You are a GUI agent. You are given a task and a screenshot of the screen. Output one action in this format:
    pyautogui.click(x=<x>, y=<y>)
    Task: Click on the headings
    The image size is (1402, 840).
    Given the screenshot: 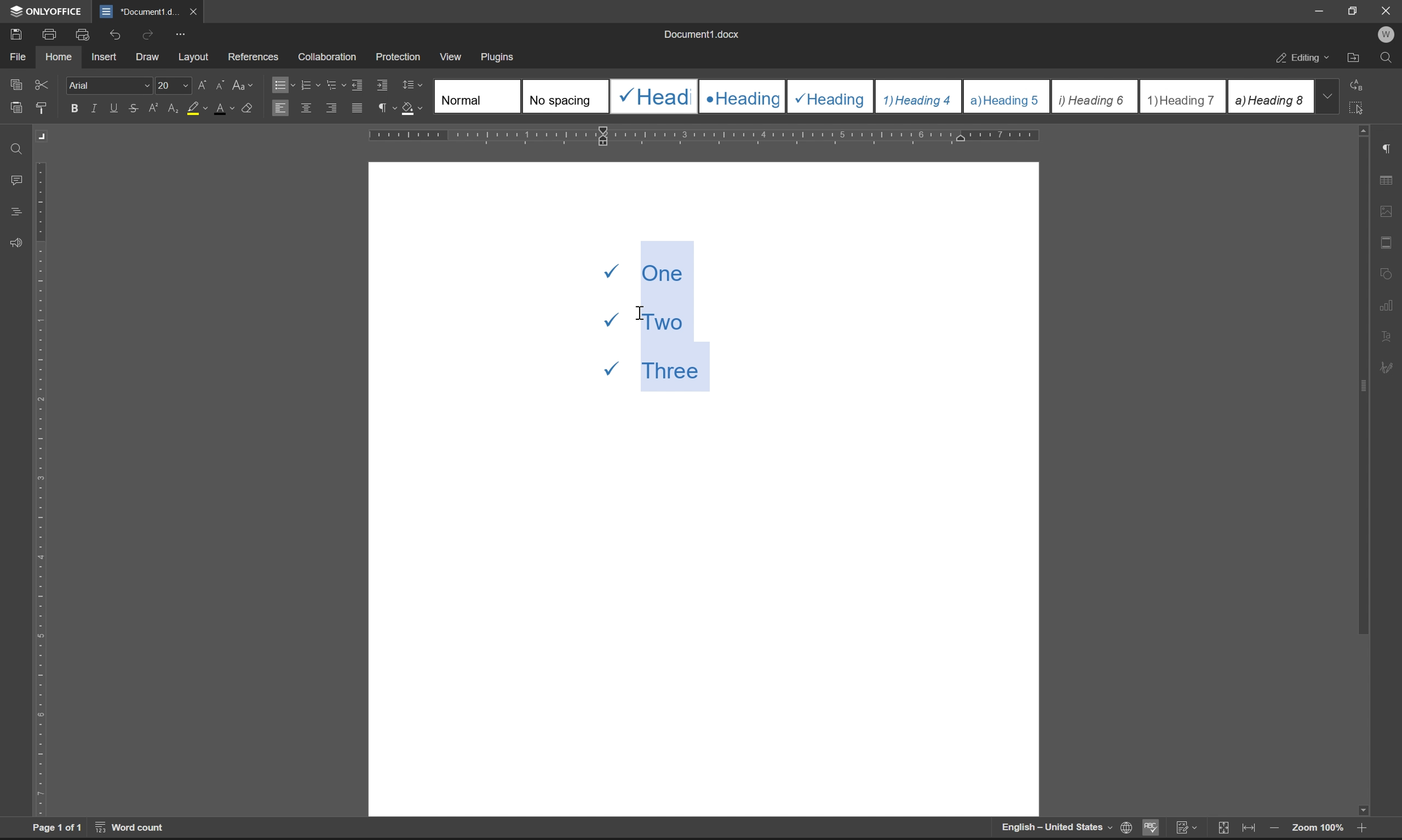 What is the action you would take?
    pyautogui.click(x=16, y=212)
    